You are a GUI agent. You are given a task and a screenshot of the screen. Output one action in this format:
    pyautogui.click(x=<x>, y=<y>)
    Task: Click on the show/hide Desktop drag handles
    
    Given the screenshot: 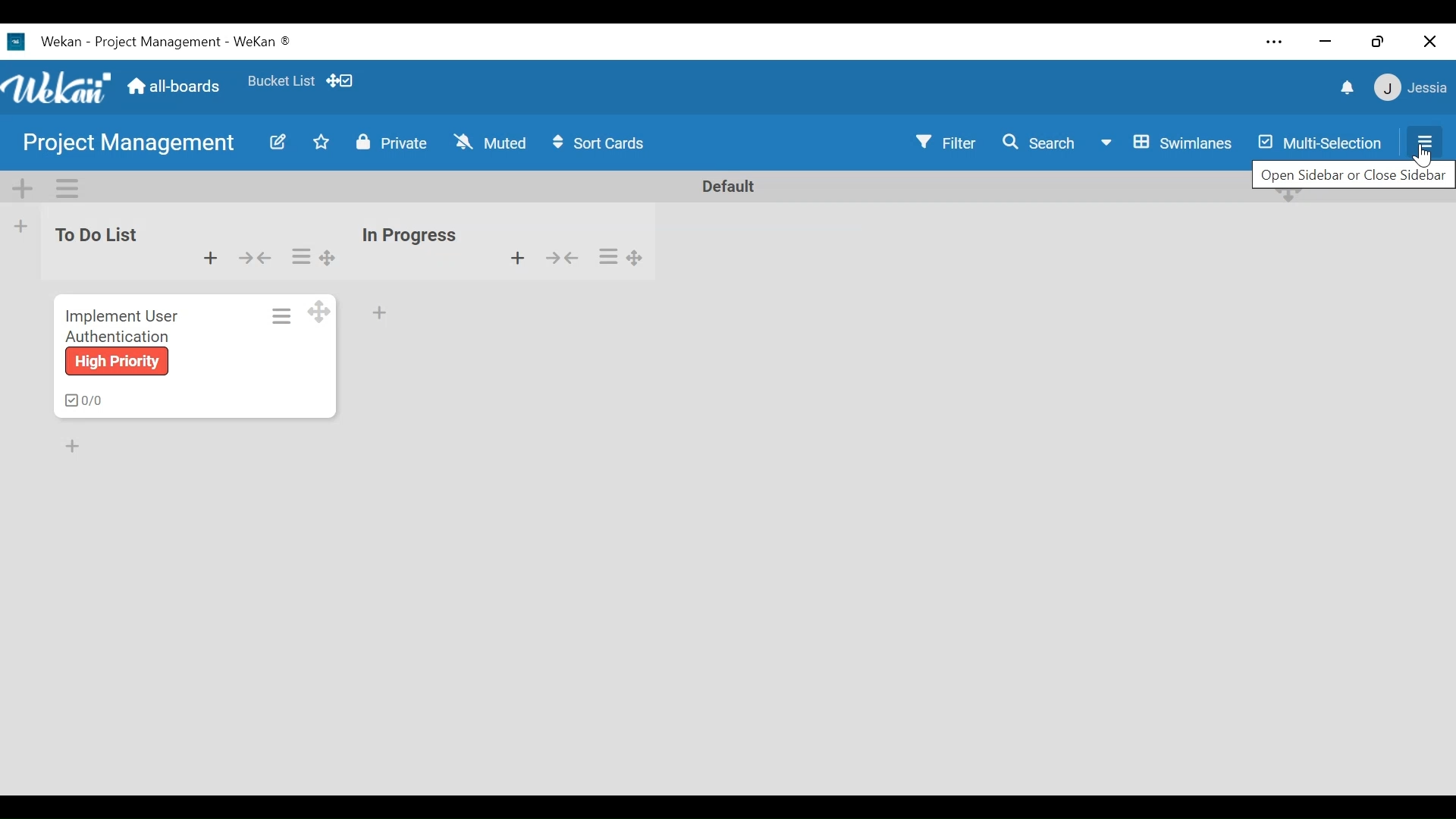 What is the action you would take?
    pyautogui.click(x=340, y=80)
    